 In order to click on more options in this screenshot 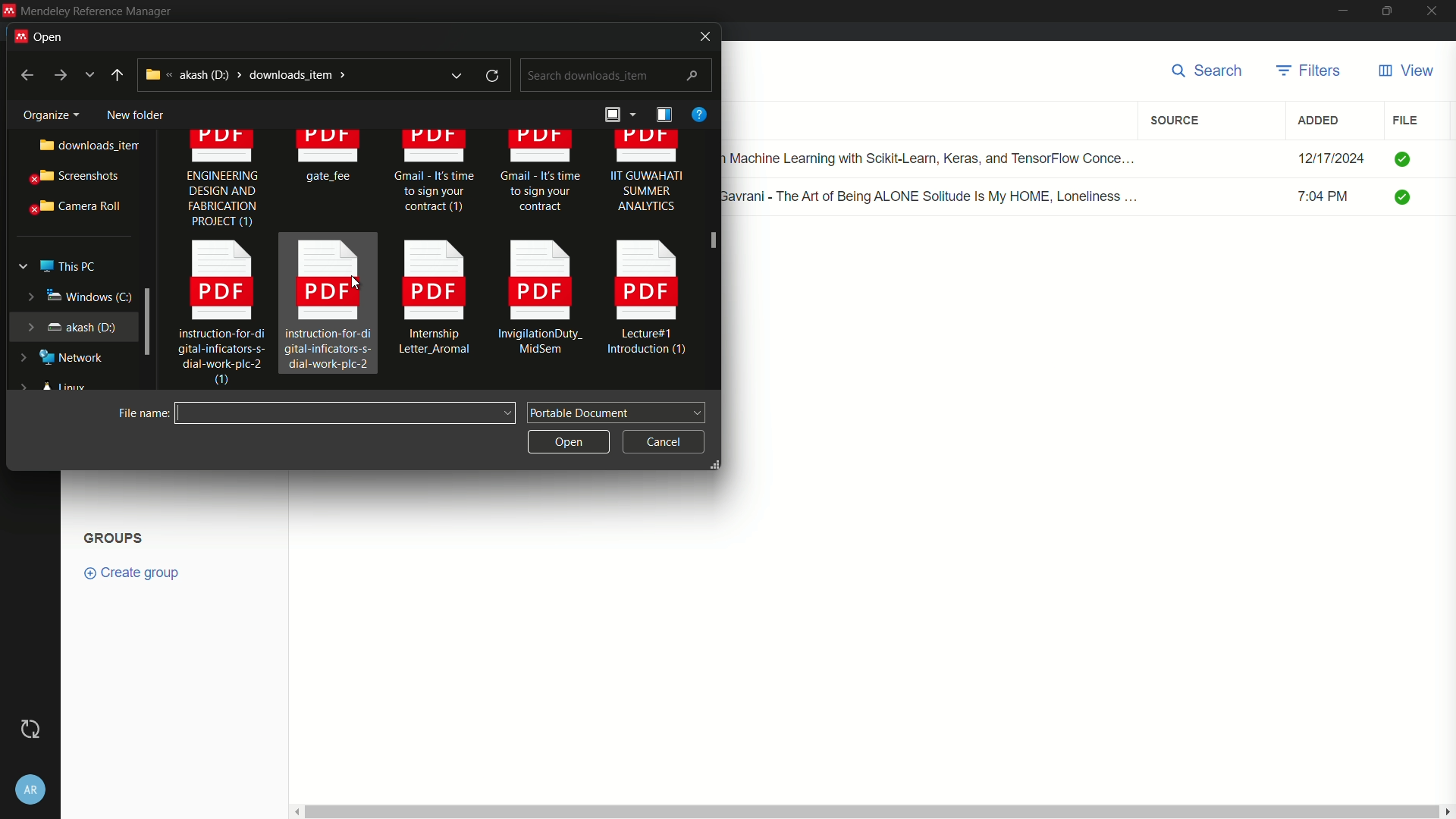, I will do `click(91, 75)`.